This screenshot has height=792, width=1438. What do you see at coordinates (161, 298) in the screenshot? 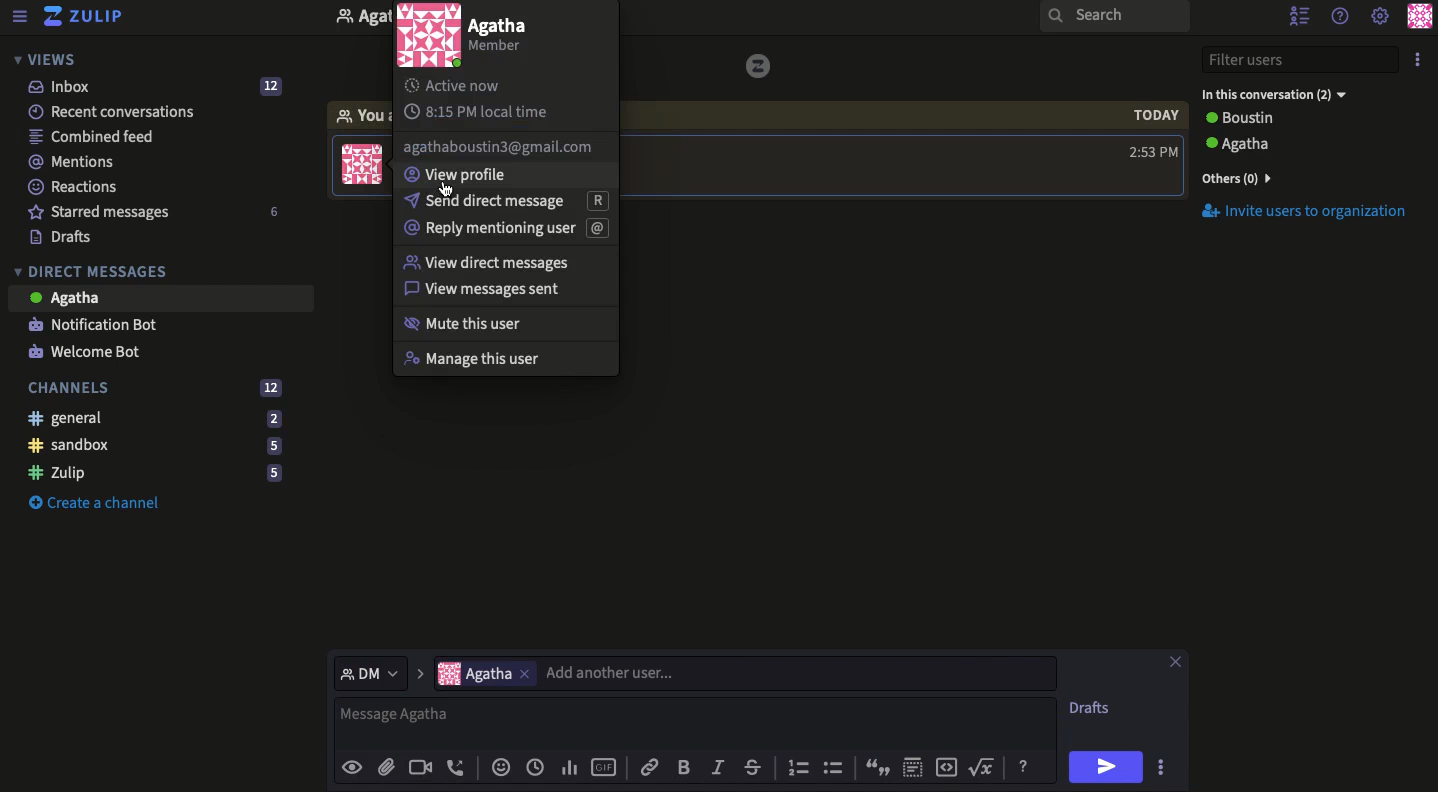
I see `Message` at bounding box center [161, 298].